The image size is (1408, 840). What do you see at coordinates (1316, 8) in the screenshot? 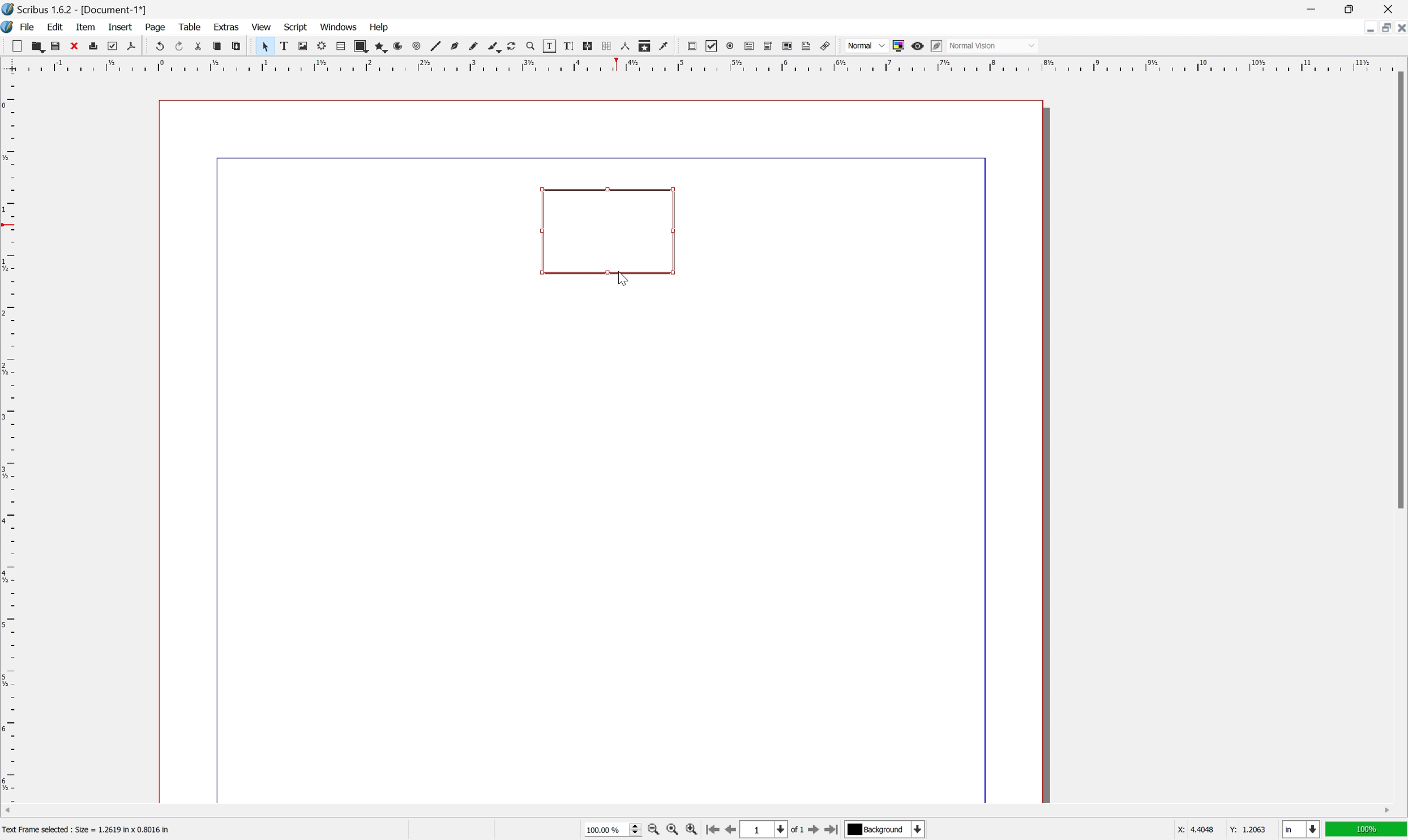
I see `minimize` at bounding box center [1316, 8].